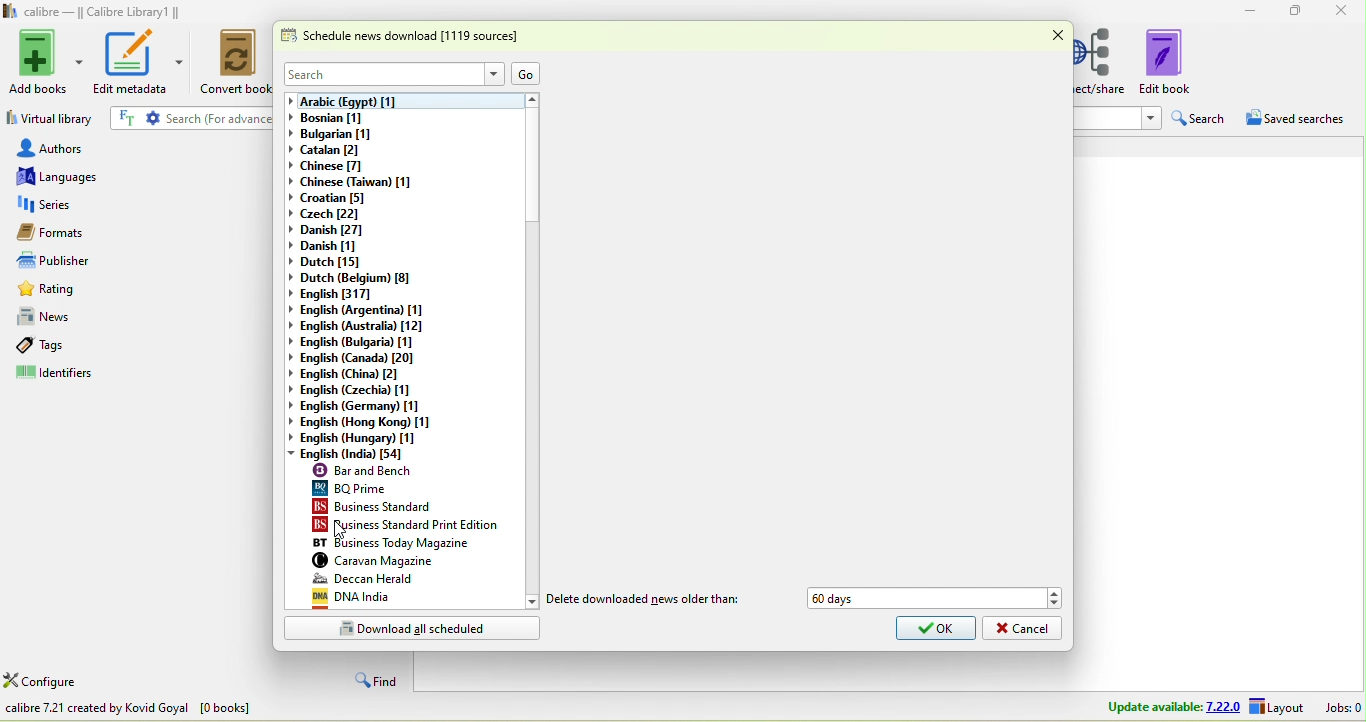 The height and width of the screenshot is (722, 1366). What do you see at coordinates (413, 561) in the screenshot?
I see `caravan magazine` at bounding box center [413, 561].